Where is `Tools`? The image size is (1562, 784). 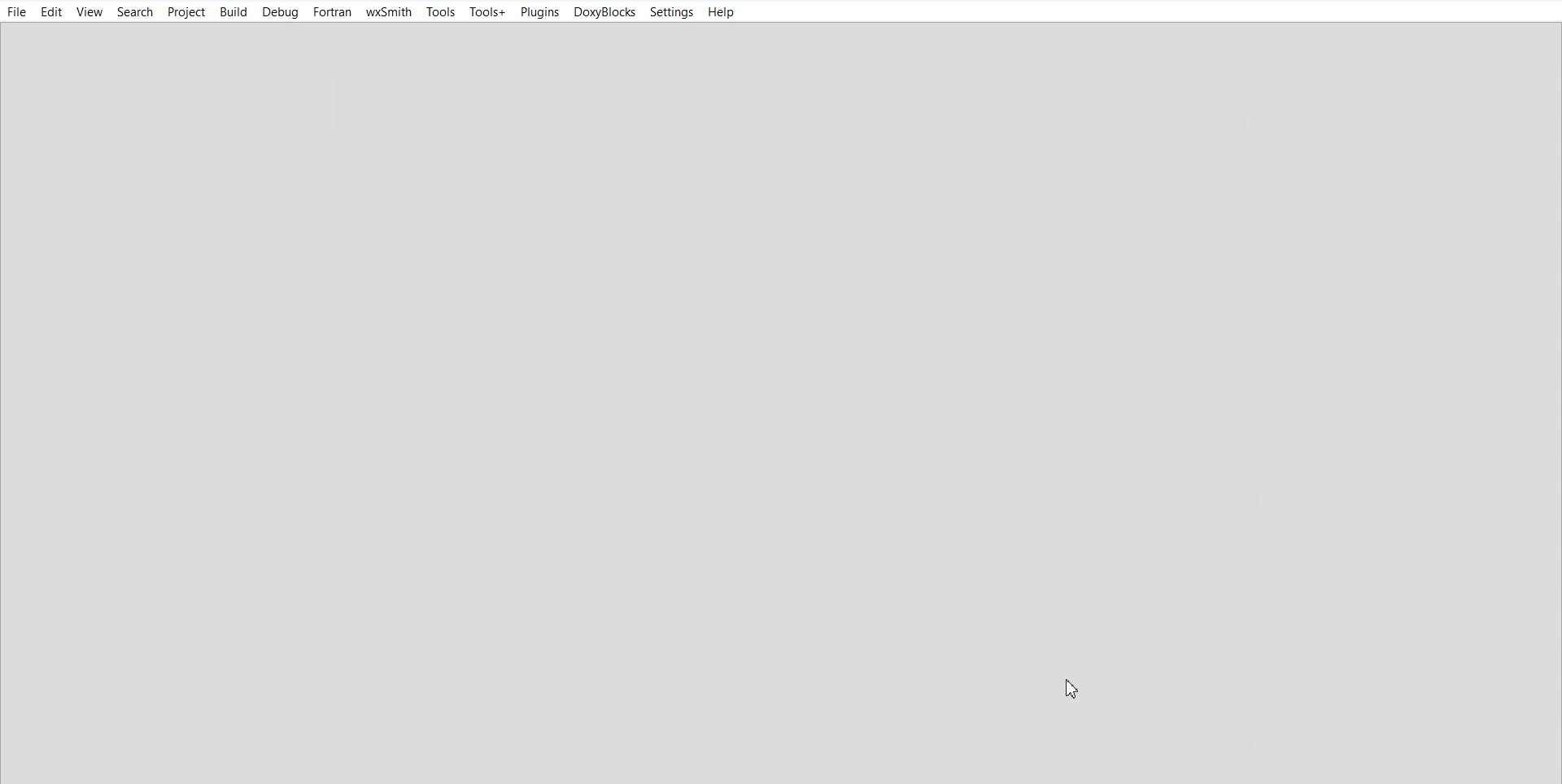 Tools is located at coordinates (442, 12).